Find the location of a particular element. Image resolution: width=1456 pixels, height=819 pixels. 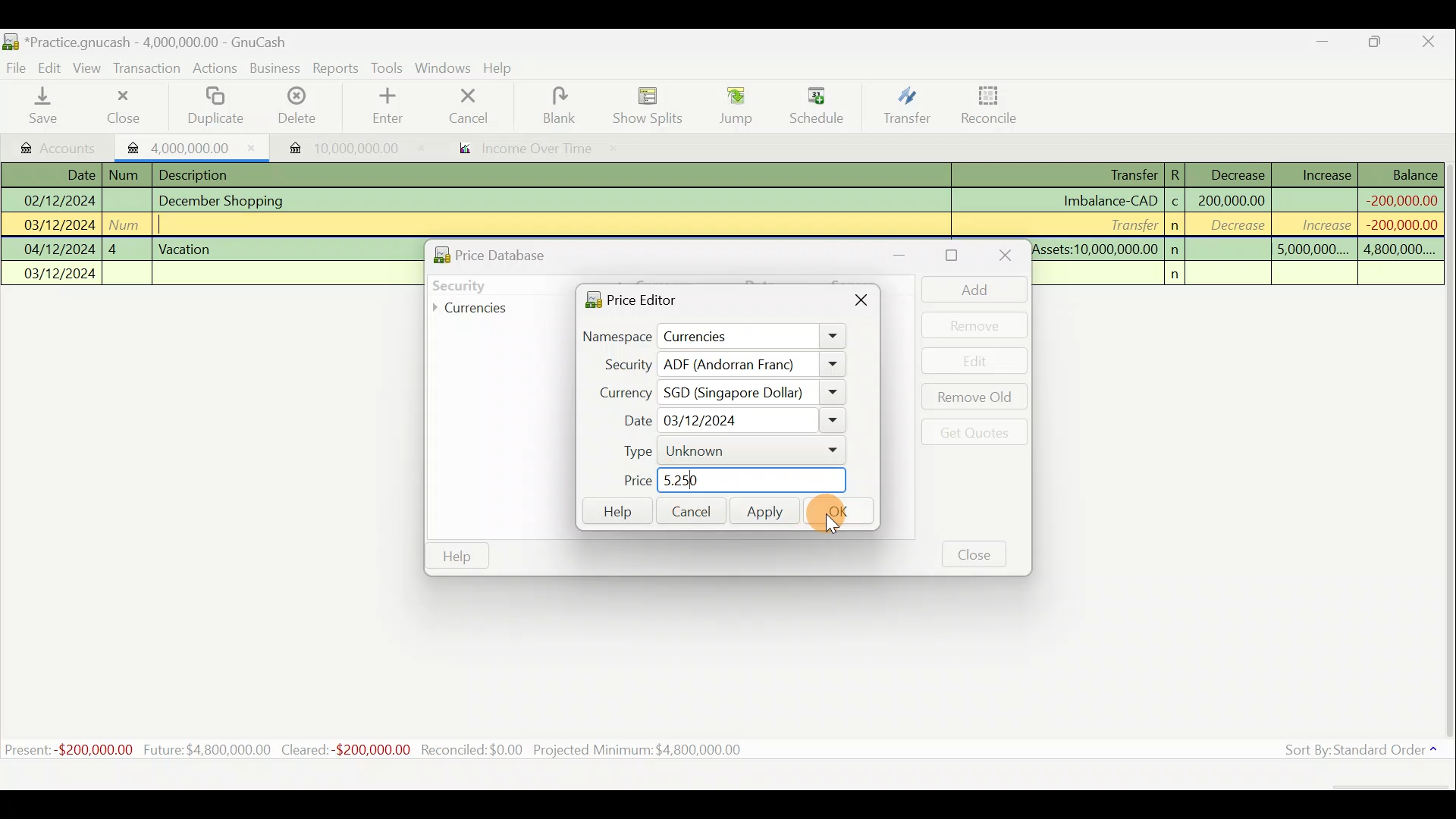

Ok is located at coordinates (839, 513).